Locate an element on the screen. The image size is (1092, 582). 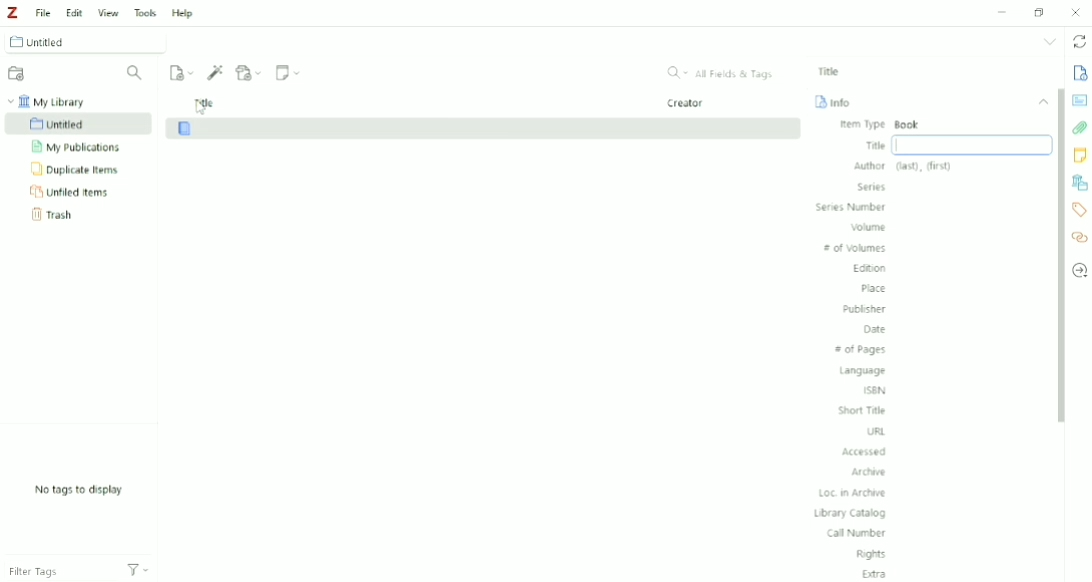
Loc. in Archive is located at coordinates (853, 493).